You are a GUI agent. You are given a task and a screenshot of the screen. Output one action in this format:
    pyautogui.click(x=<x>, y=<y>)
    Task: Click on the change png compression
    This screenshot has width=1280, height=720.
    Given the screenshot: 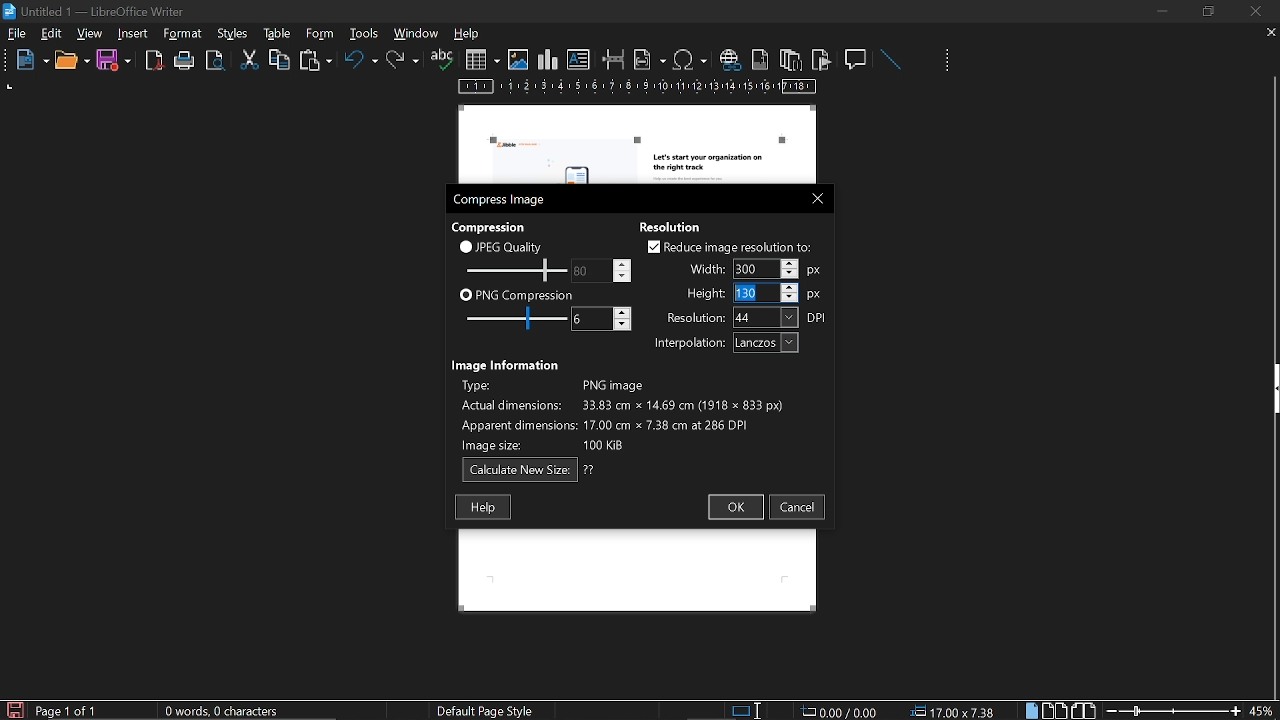 What is the action you would take?
    pyautogui.click(x=601, y=319)
    